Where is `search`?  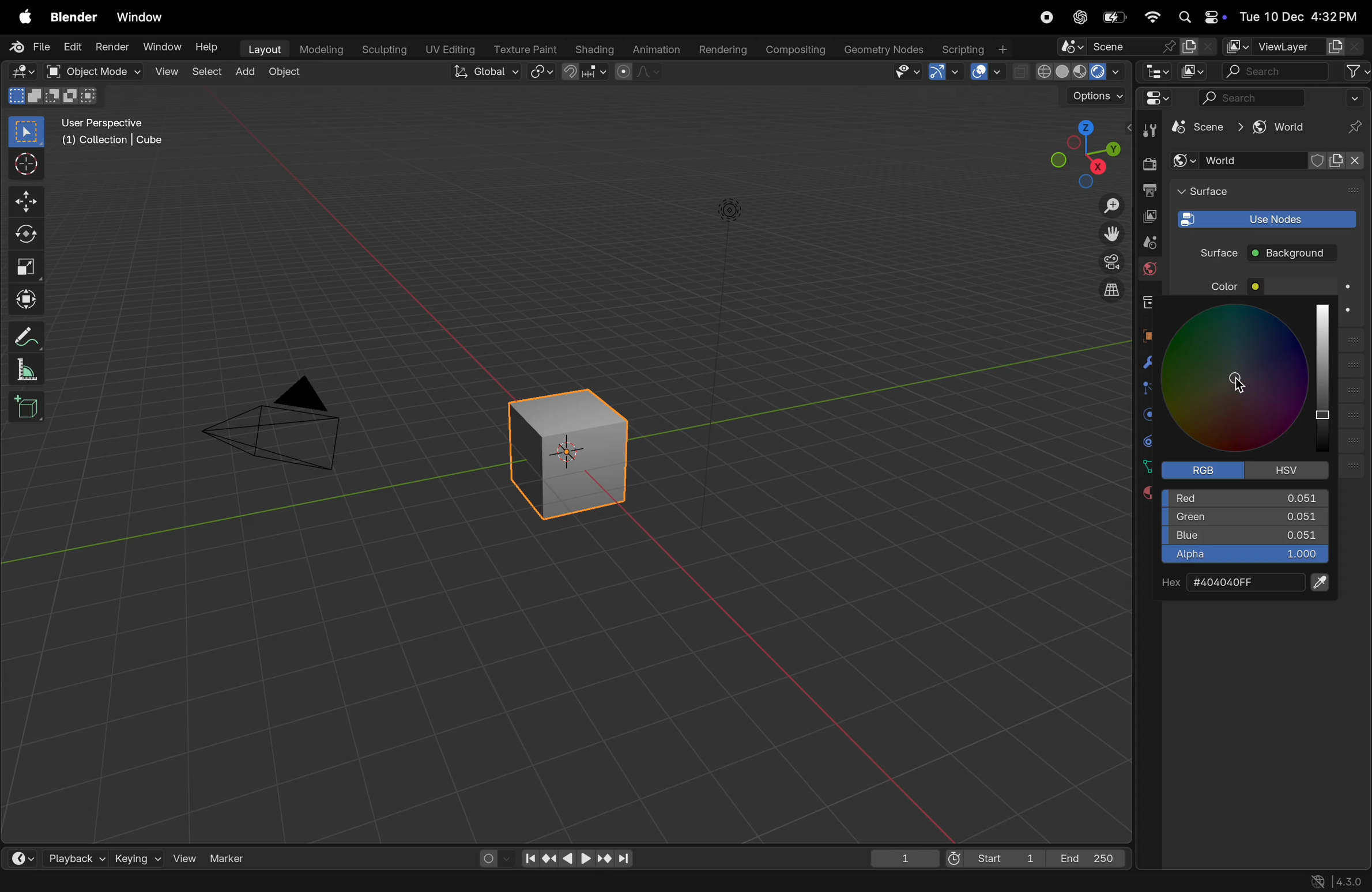
search is located at coordinates (1296, 71).